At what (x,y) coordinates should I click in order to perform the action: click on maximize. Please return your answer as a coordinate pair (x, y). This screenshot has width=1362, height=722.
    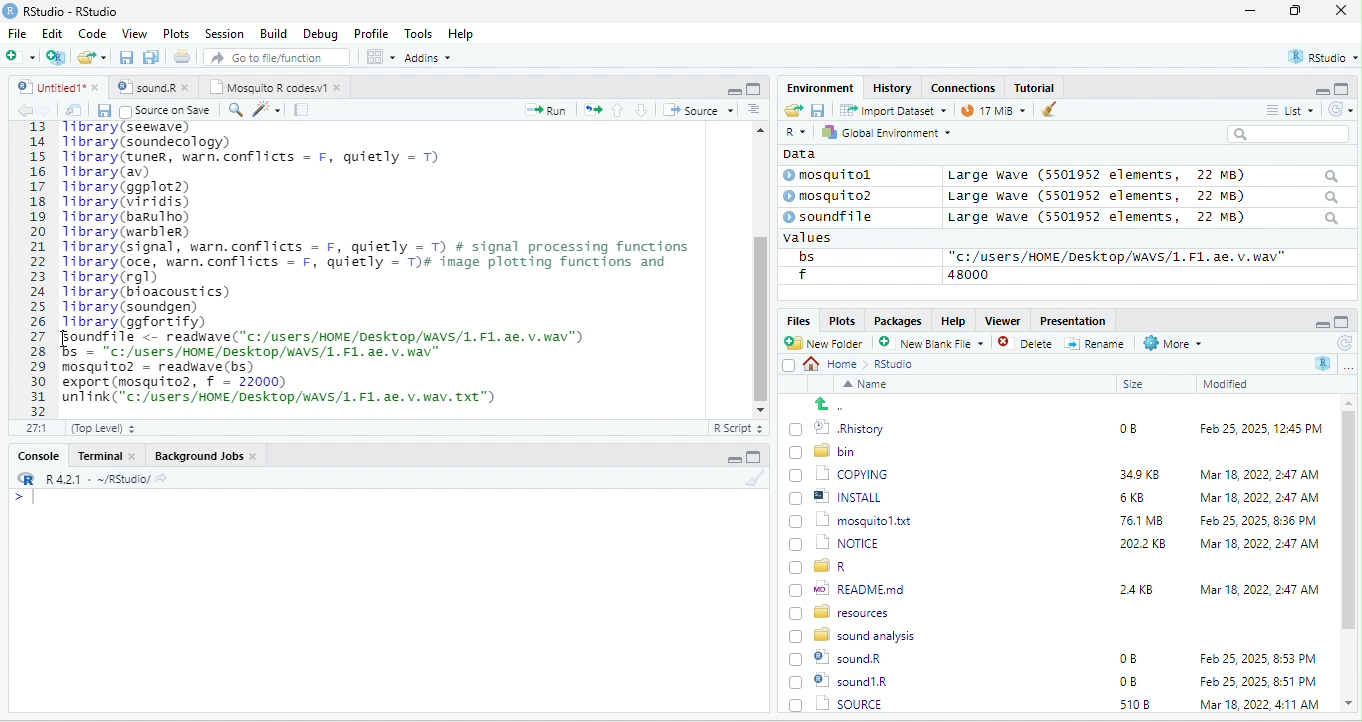
    Looking at the image, I should click on (753, 88).